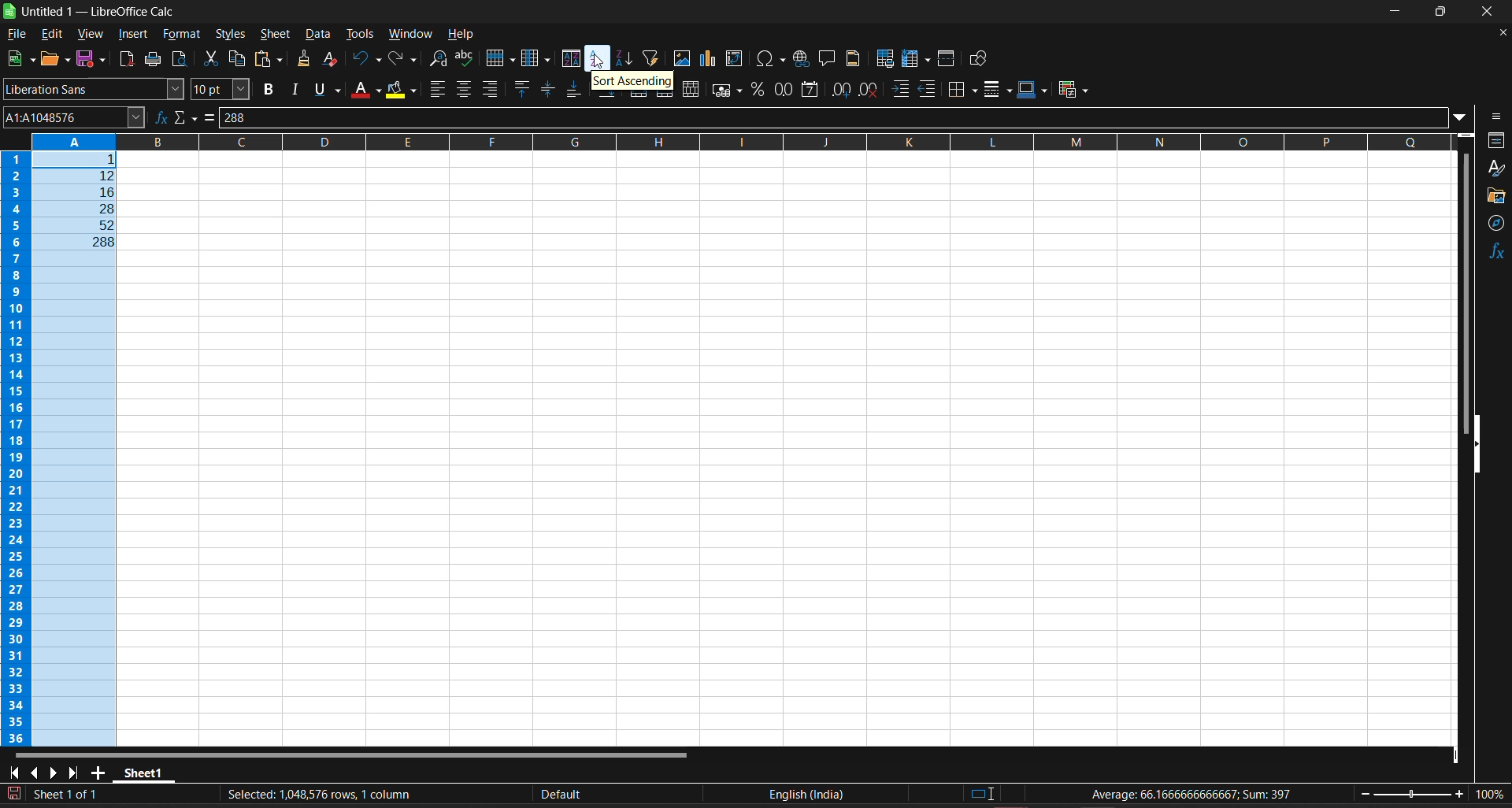 The height and width of the screenshot is (808, 1512). I want to click on increase decimal place, so click(839, 90).